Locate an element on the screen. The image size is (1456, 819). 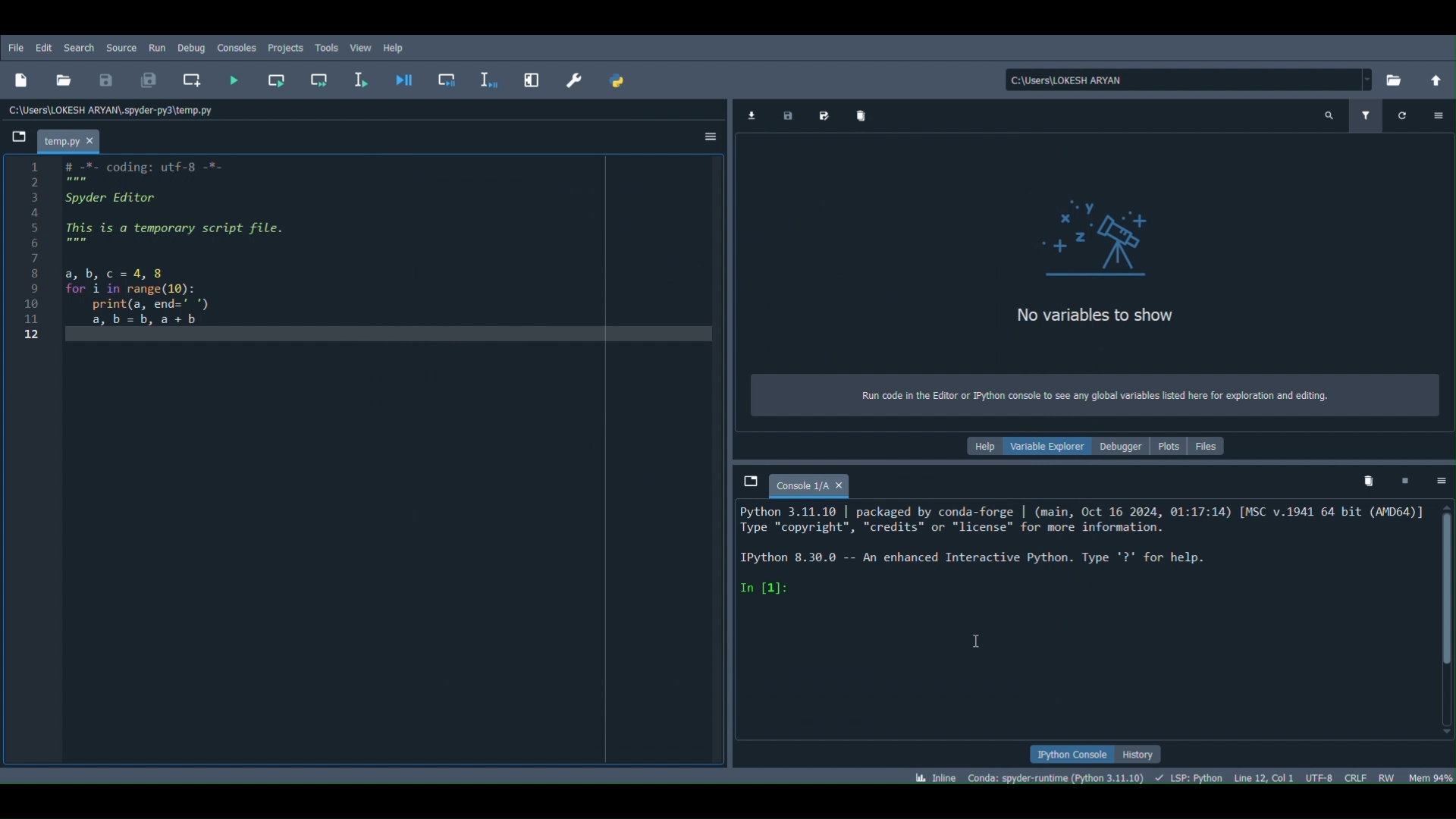
Browse tabs is located at coordinates (749, 481).